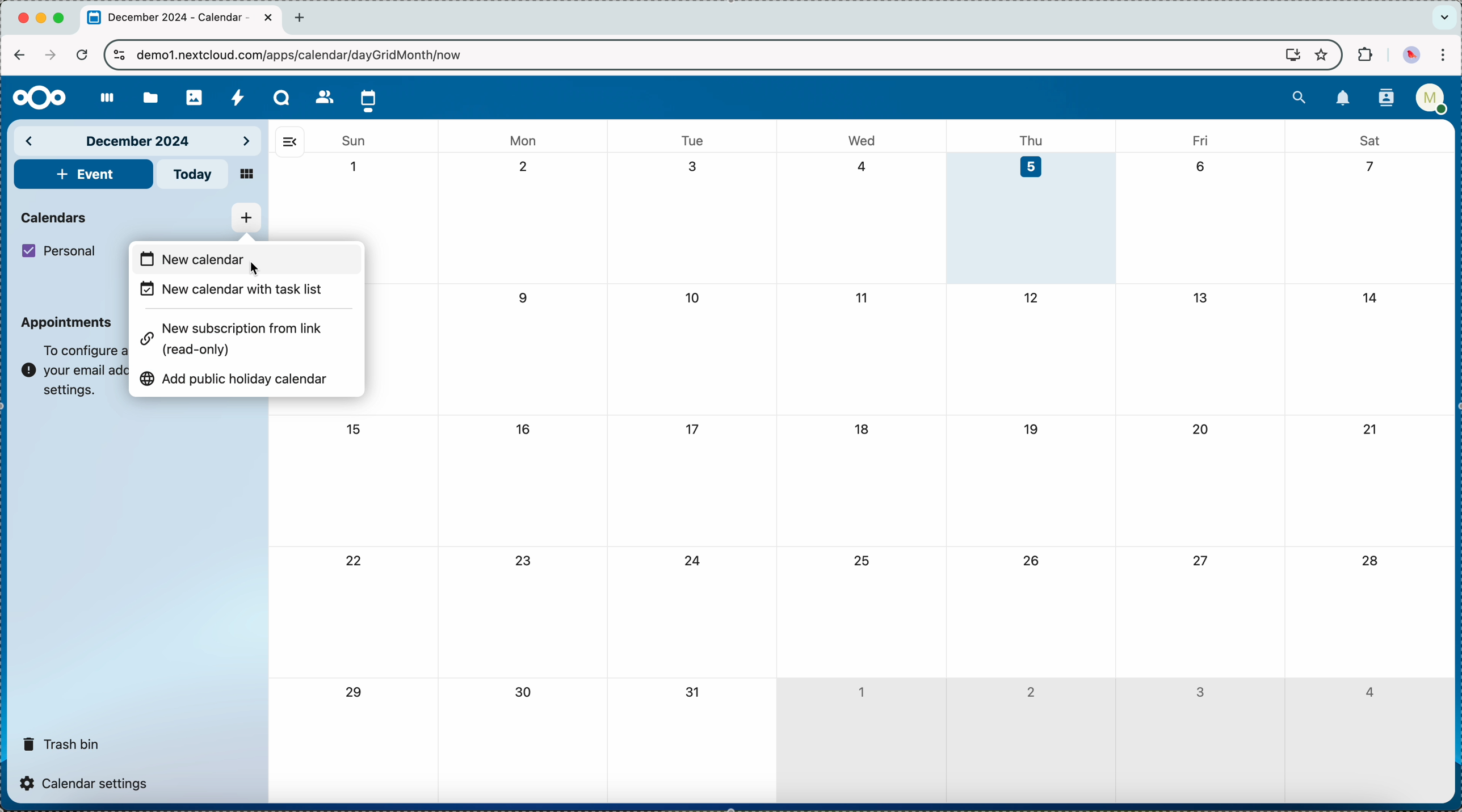 This screenshot has width=1462, height=812. I want to click on 13, so click(1200, 297).